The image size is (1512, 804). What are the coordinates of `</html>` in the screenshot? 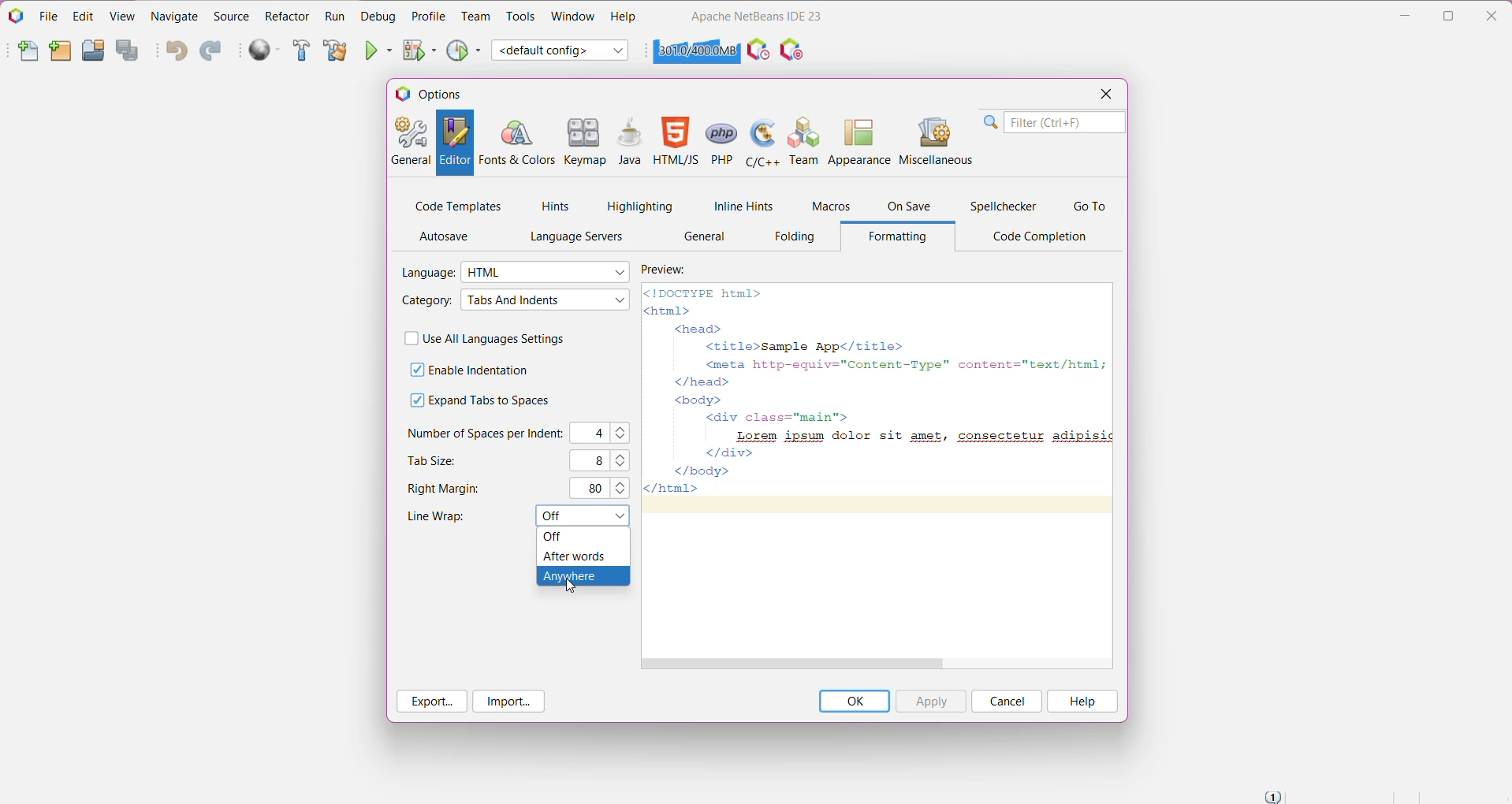 It's located at (672, 489).